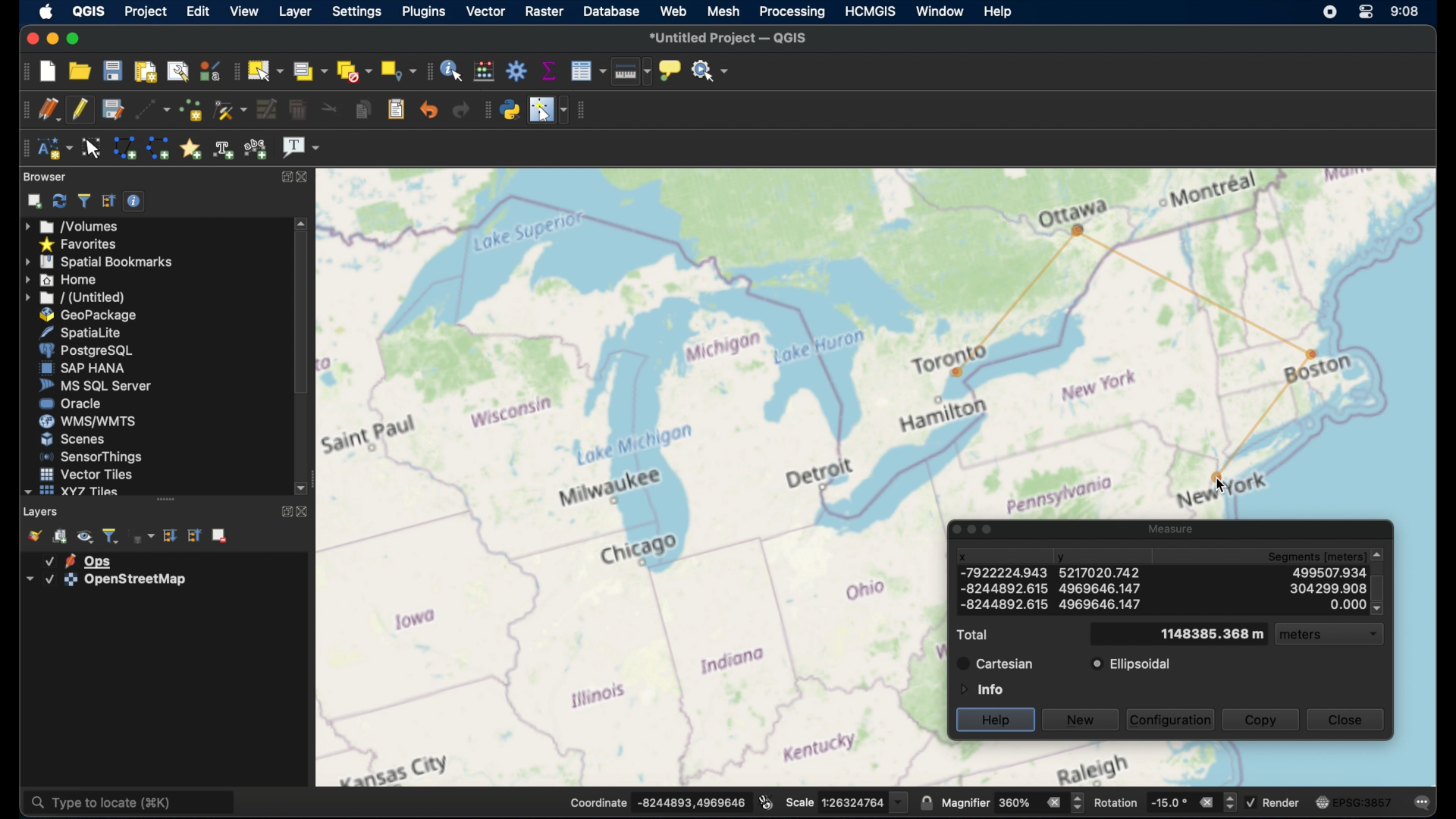  What do you see at coordinates (22, 110) in the screenshot?
I see `digitizing toolbar` at bounding box center [22, 110].